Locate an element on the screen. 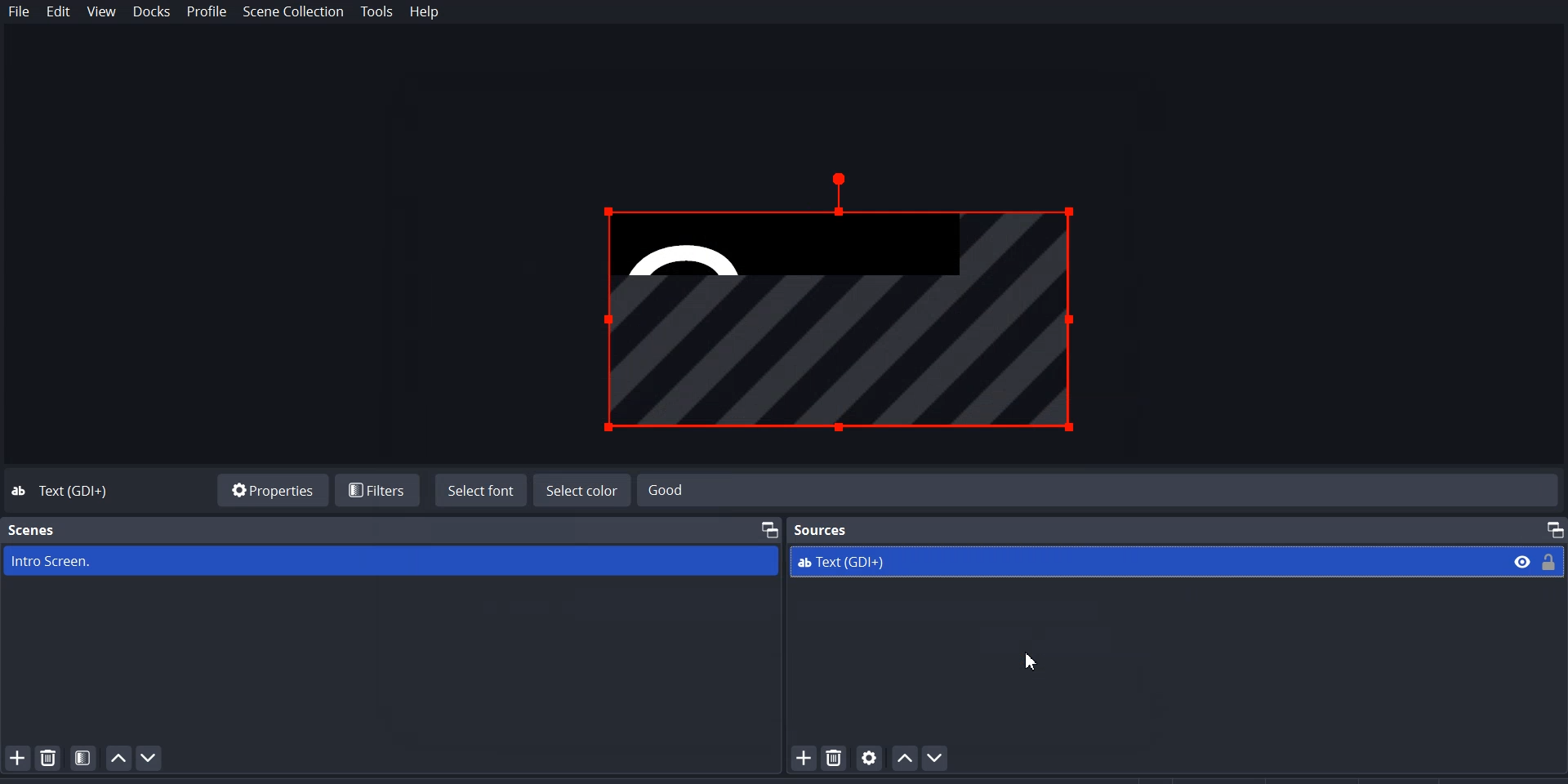 The width and height of the screenshot is (1568, 784). Tools is located at coordinates (377, 12).